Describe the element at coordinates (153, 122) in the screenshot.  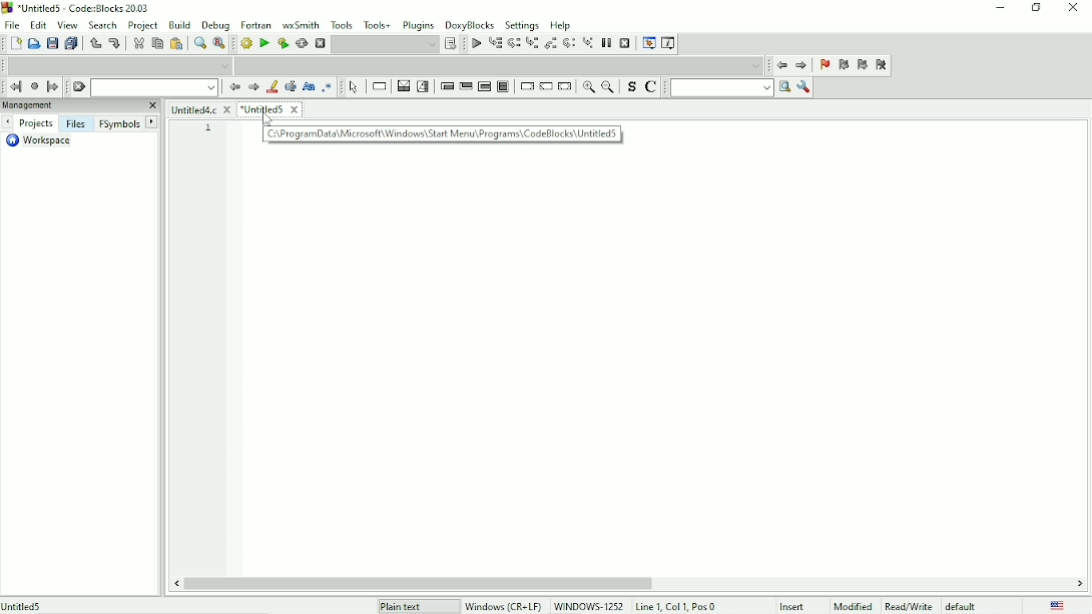
I see `Next` at that location.